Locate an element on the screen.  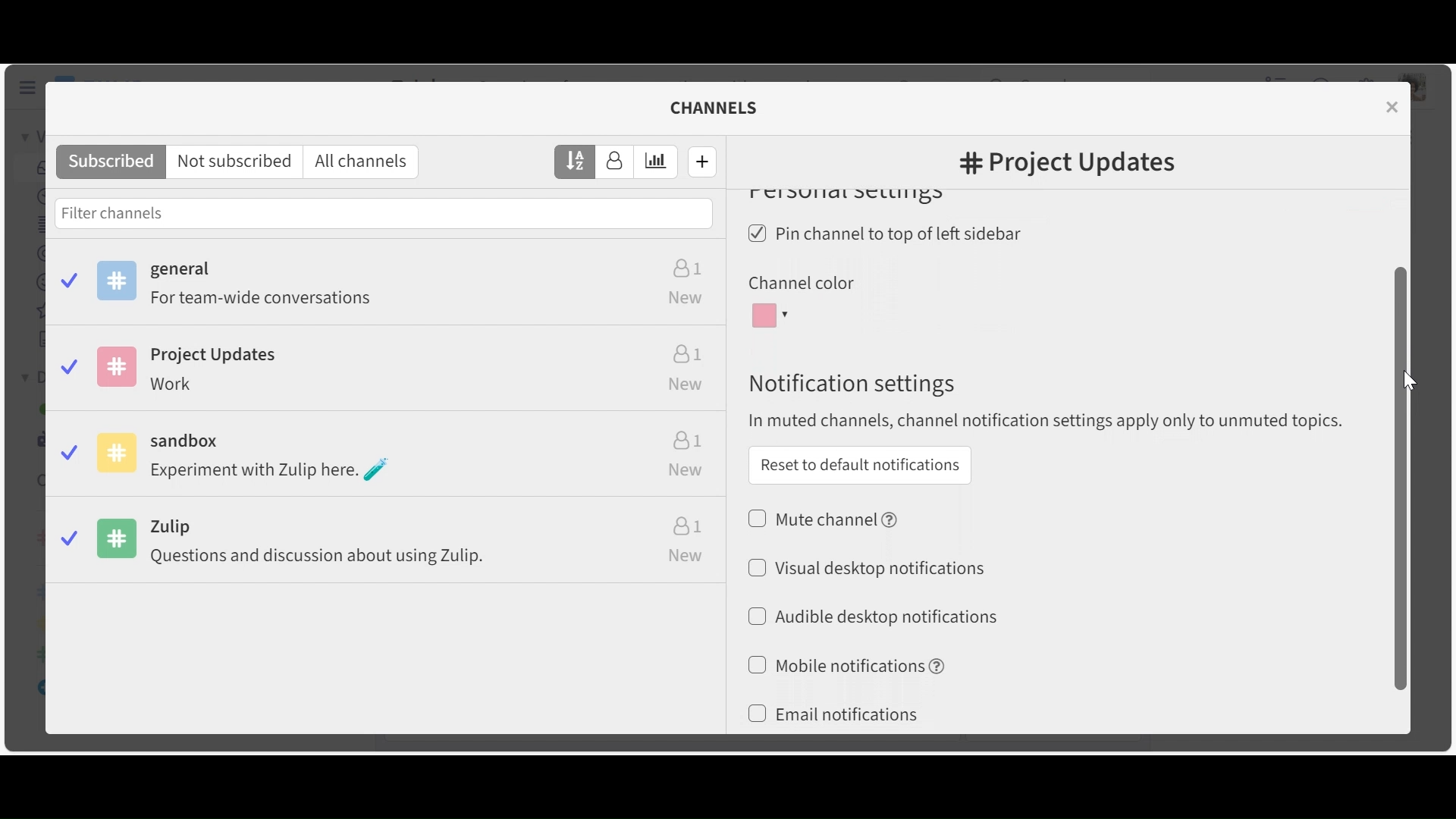
Sort by estimated weekly traffic is located at coordinates (657, 162).